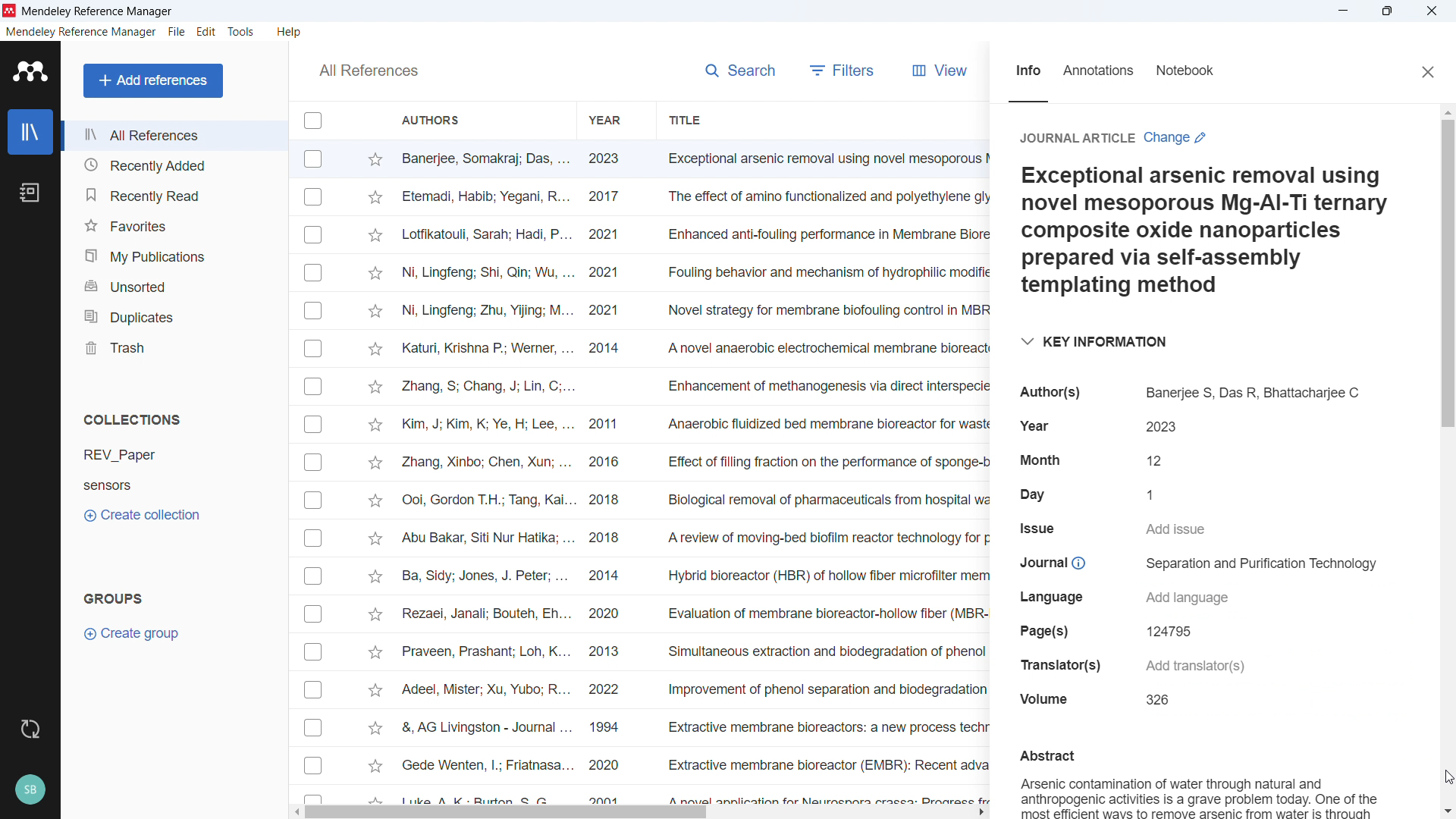  Describe the element at coordinates (485, 158) in the screenshot. I see `banerjee somakraj,das` at that location.